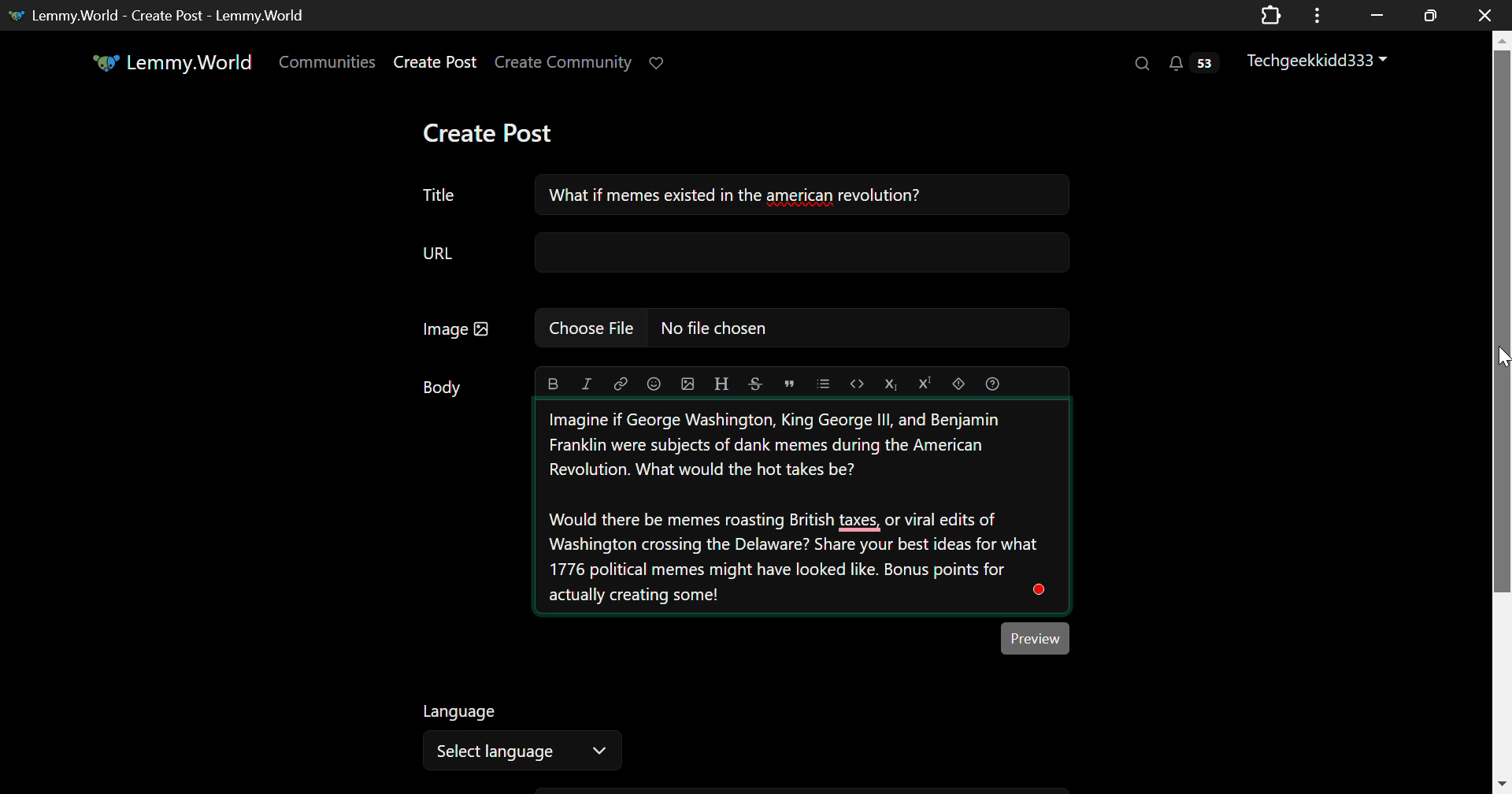 The image size is (1512, 794). Describe the element at coordinates (925, 384) in the screenshot. I see `Superscript` at that location.